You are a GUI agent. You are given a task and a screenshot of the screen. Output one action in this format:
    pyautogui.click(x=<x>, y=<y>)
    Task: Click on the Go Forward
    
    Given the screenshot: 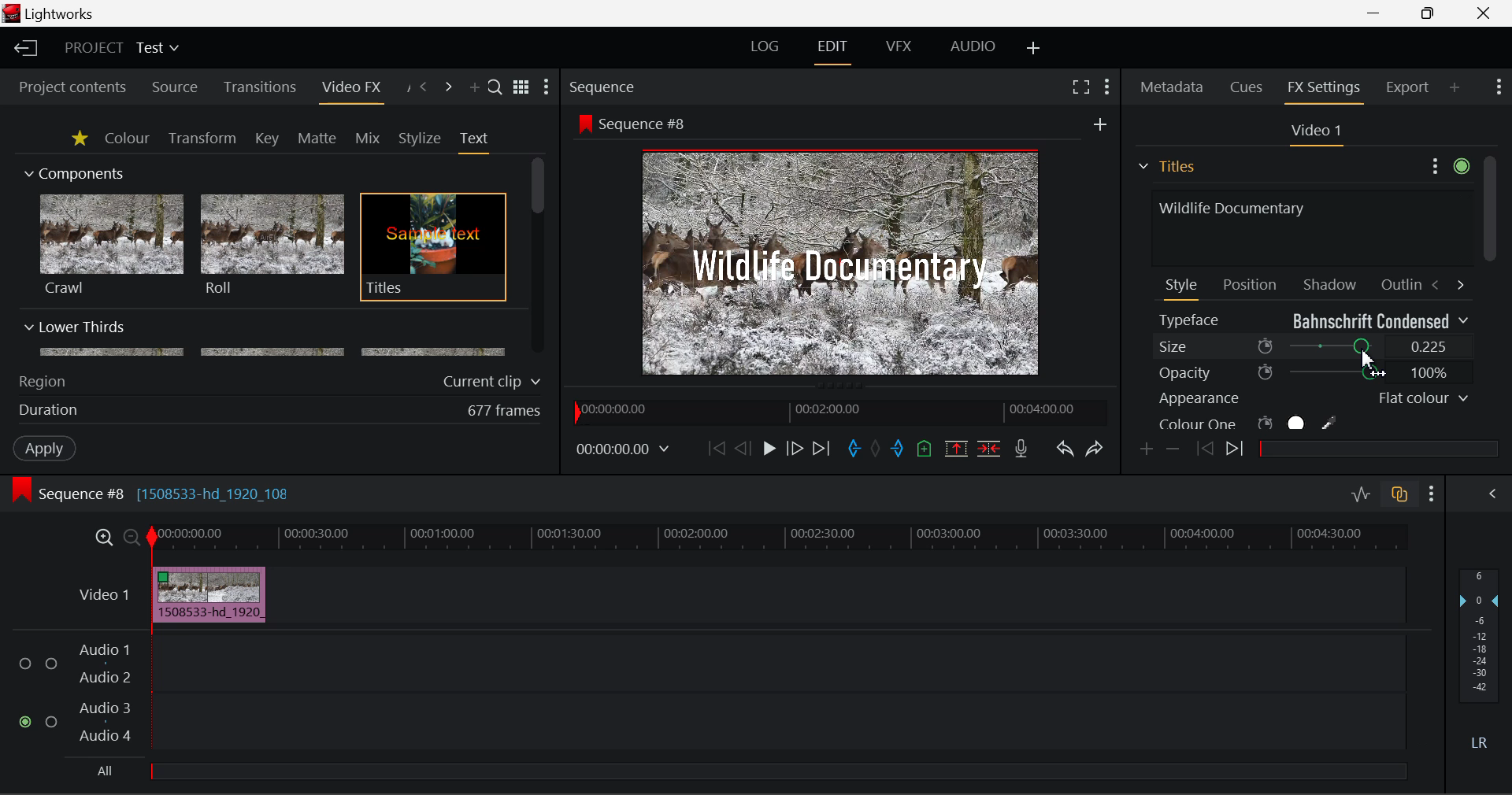 What is the action you would take?
    pyautogui.click(x=794, y=449)
    